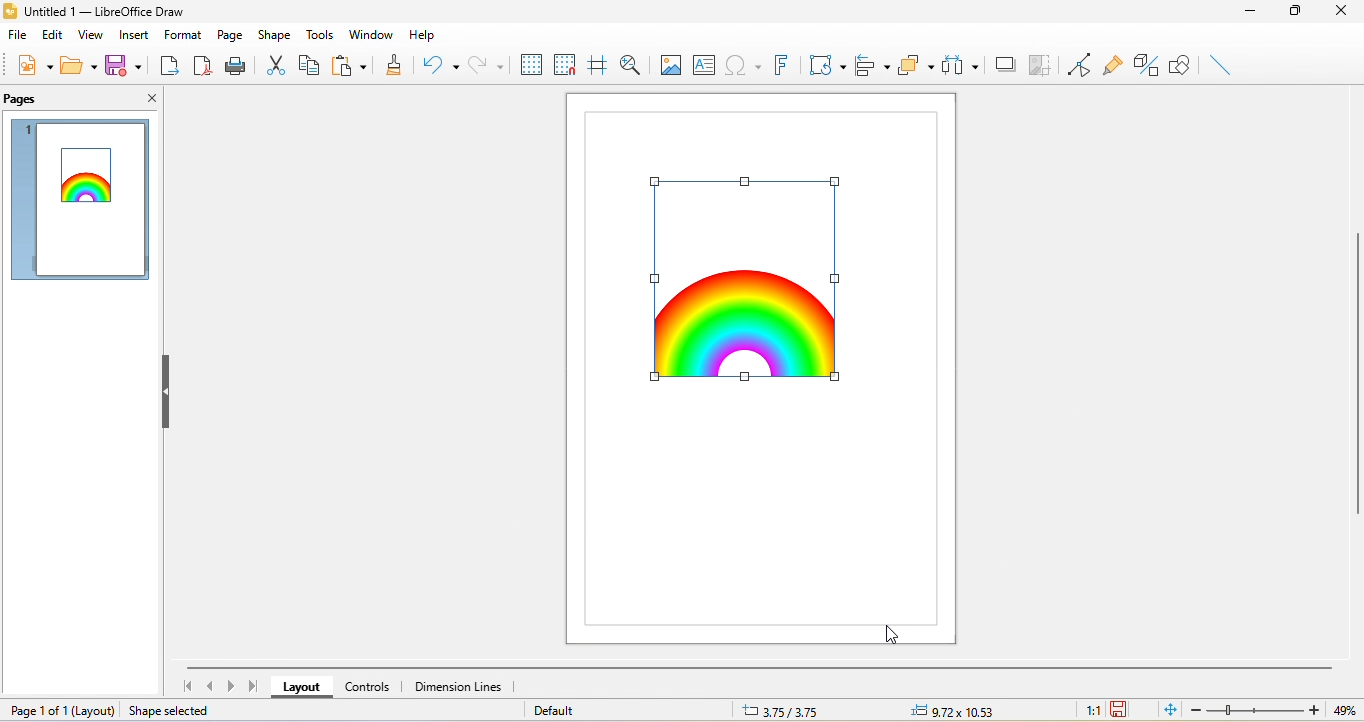 Image resolution: width=1364 pixels, height=722 pixels. I want to click on arrange, so click(918, 66).